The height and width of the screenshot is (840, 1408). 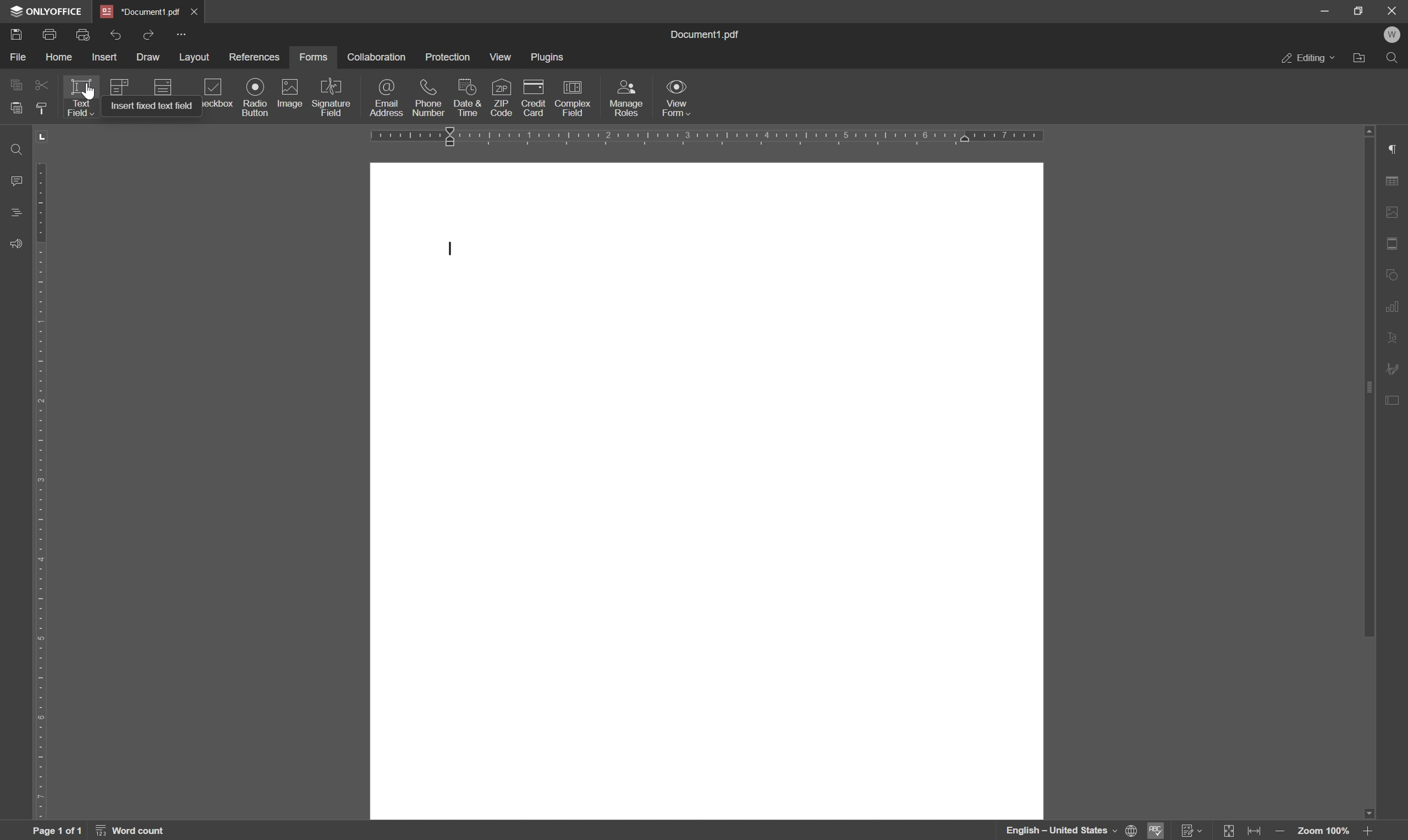 I want to click on cut, so click(x=41, y=84).